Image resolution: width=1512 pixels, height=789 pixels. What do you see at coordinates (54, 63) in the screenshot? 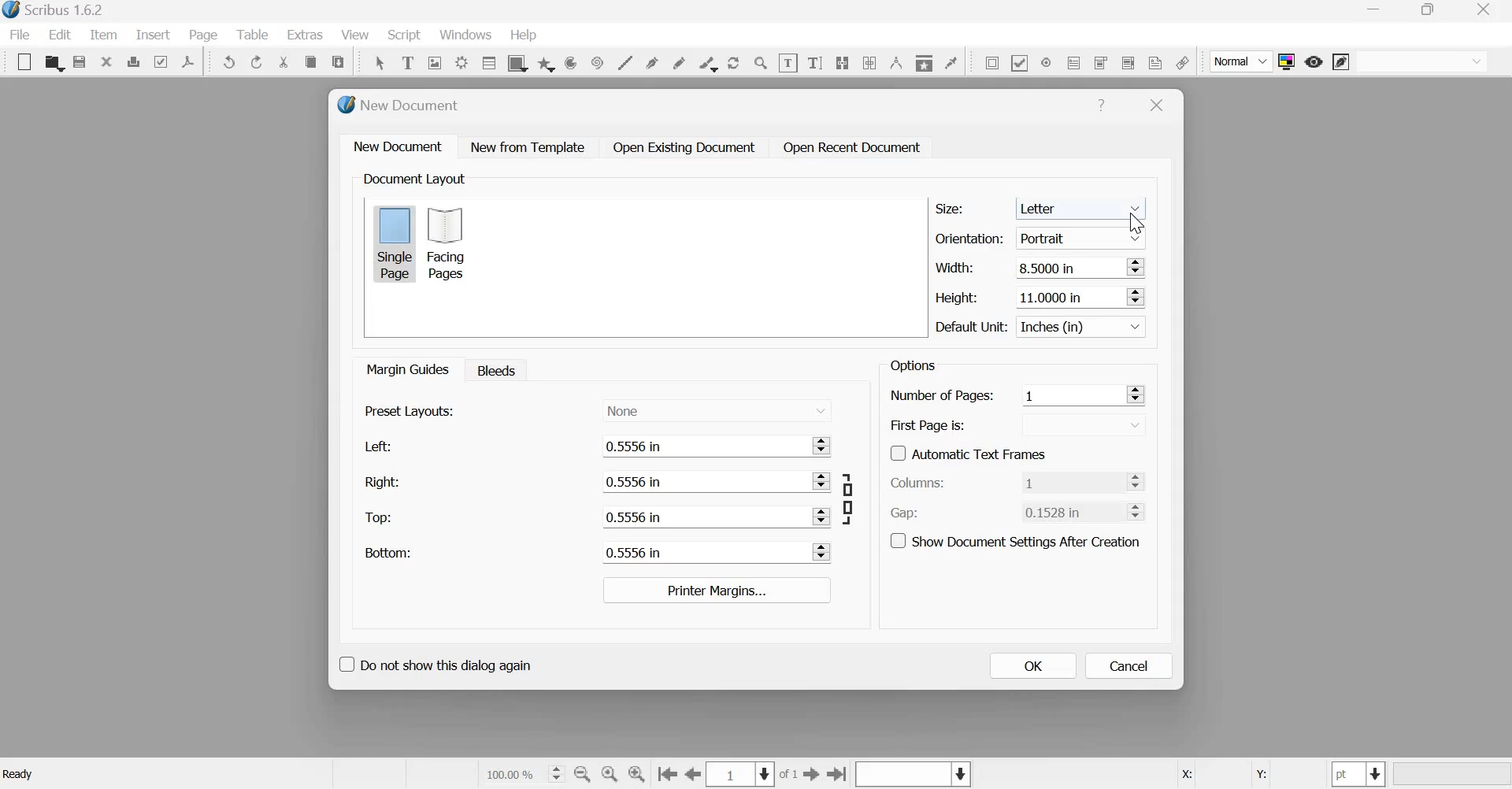
I see `open` at bounding box center [54, 63].